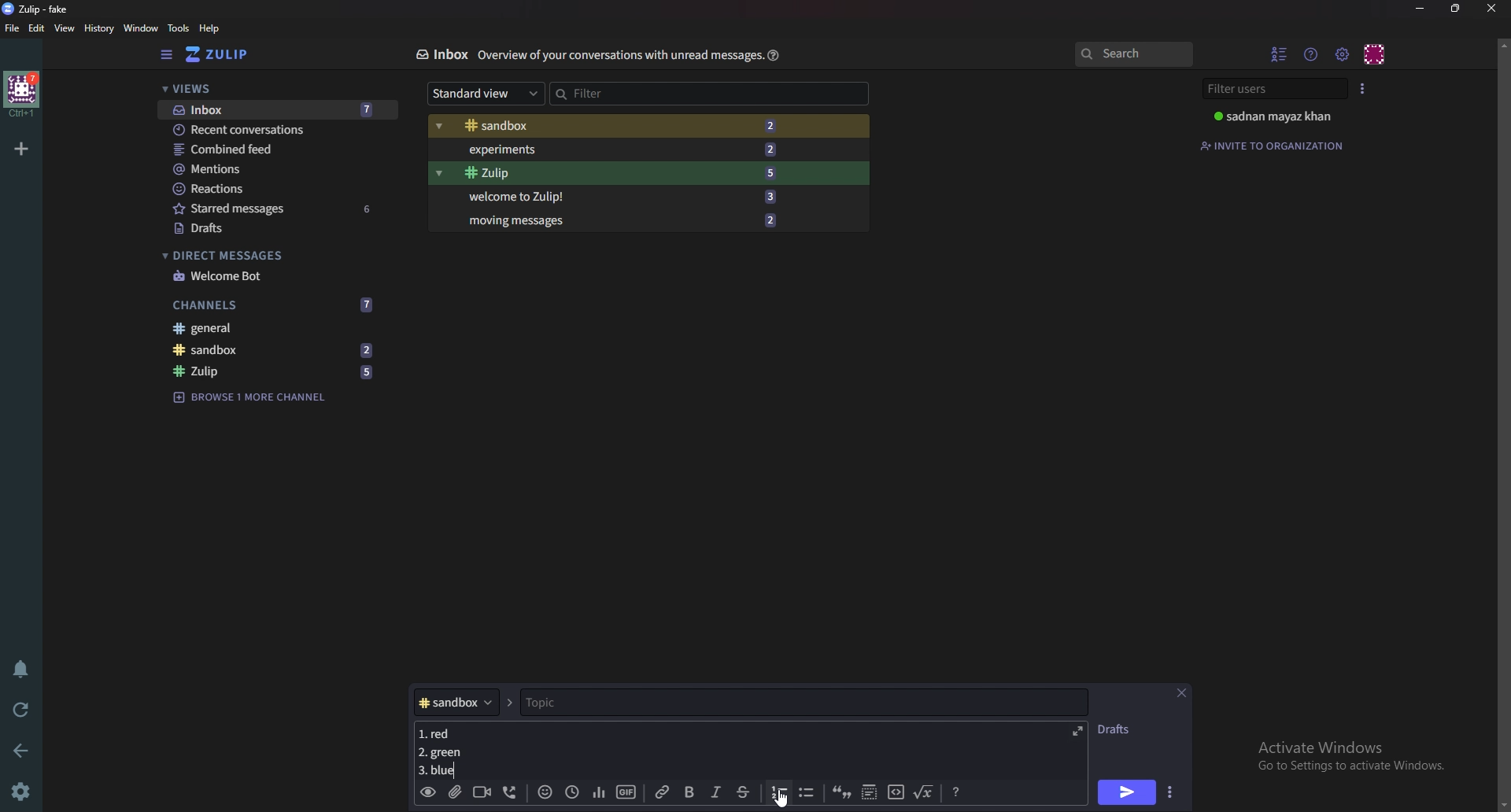  What do you see at coordinates (1122, 728) in the screenshot?
I see `Drafts` at bounding box center [1122, 728].